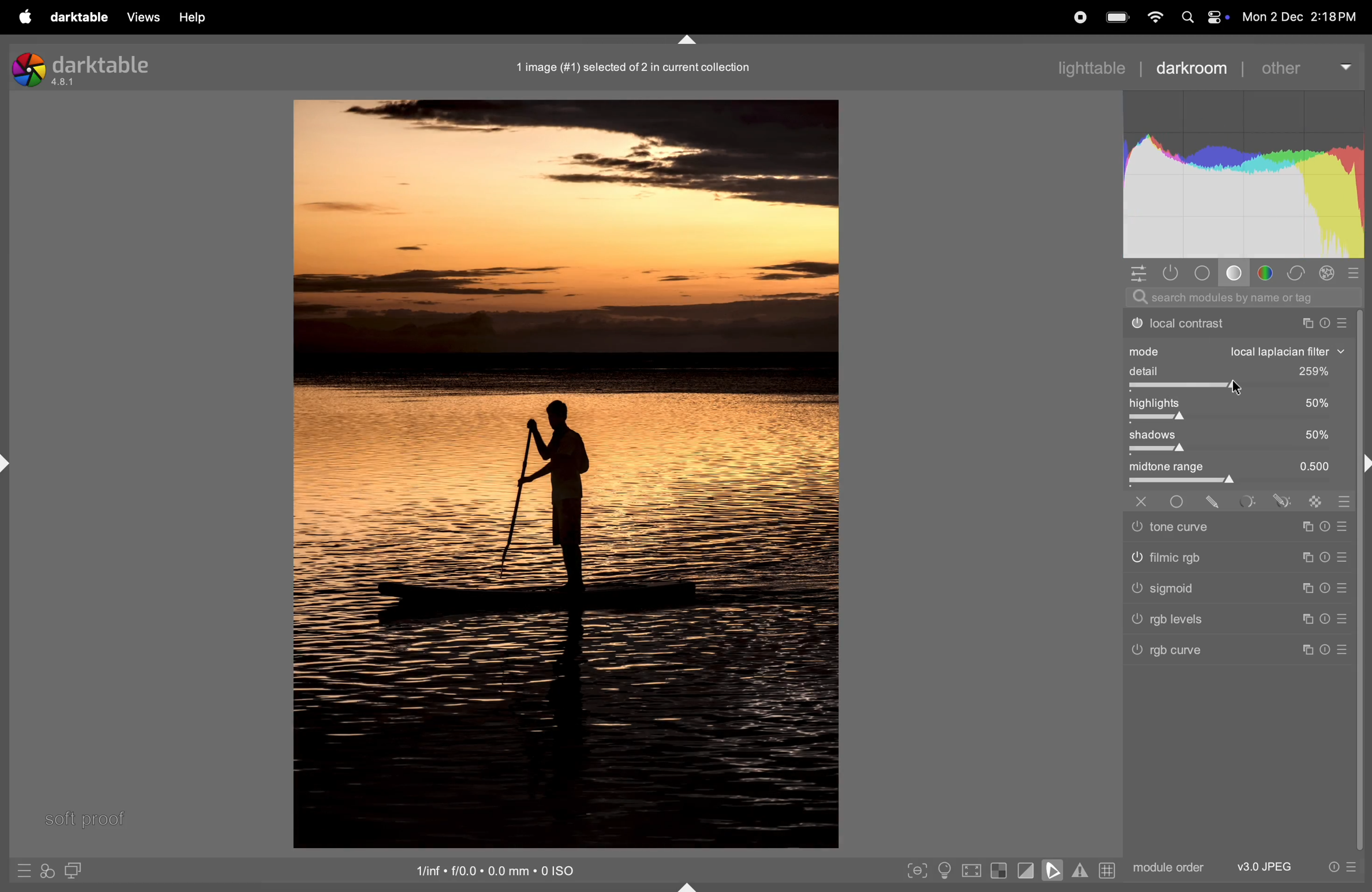 The height and width of the screenshot is (892, 1372). Describe the element at coordinates (1203, 272) in the screenshot. I see `base` at that location.